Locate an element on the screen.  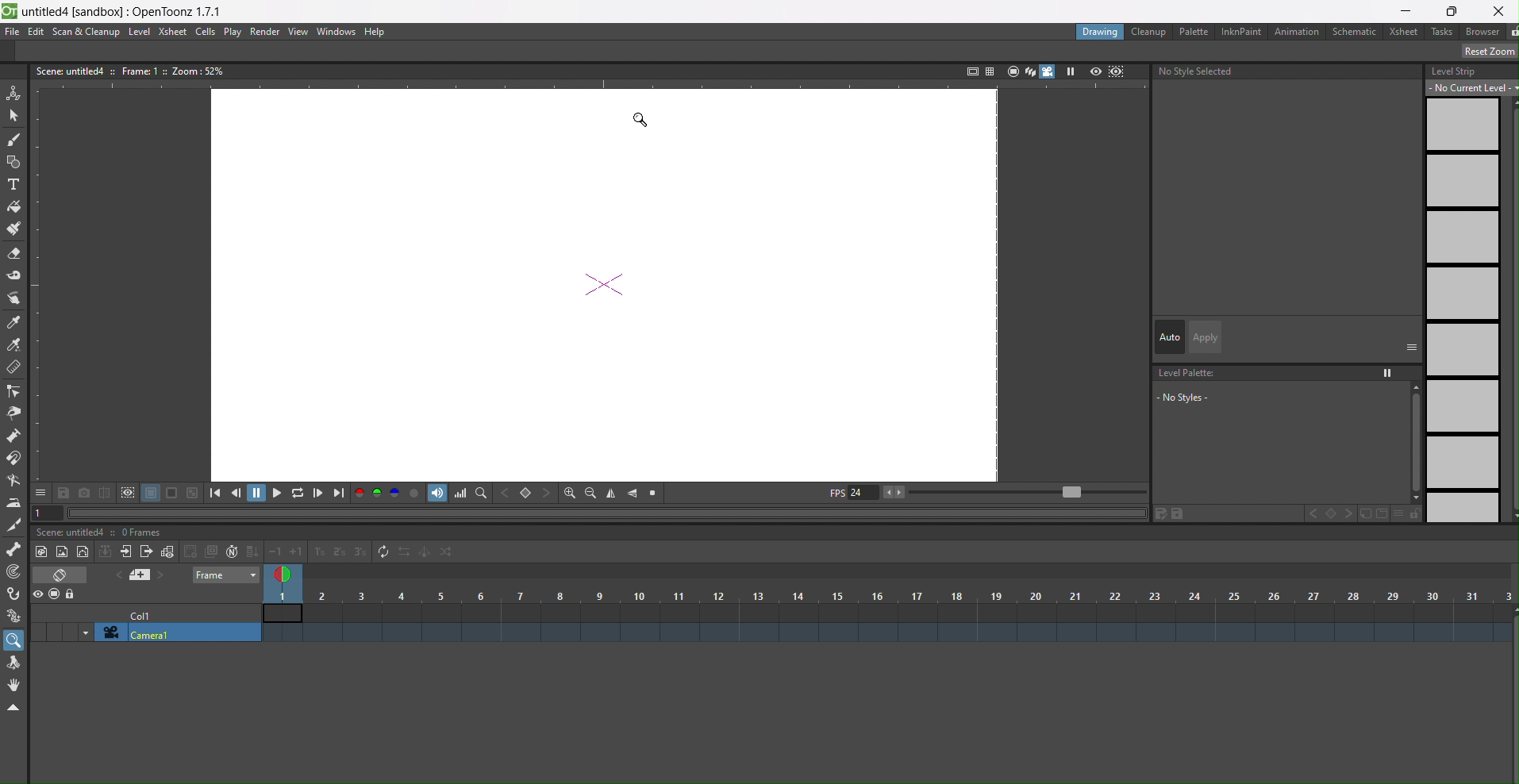
camera is located at coordinates (170, 633).